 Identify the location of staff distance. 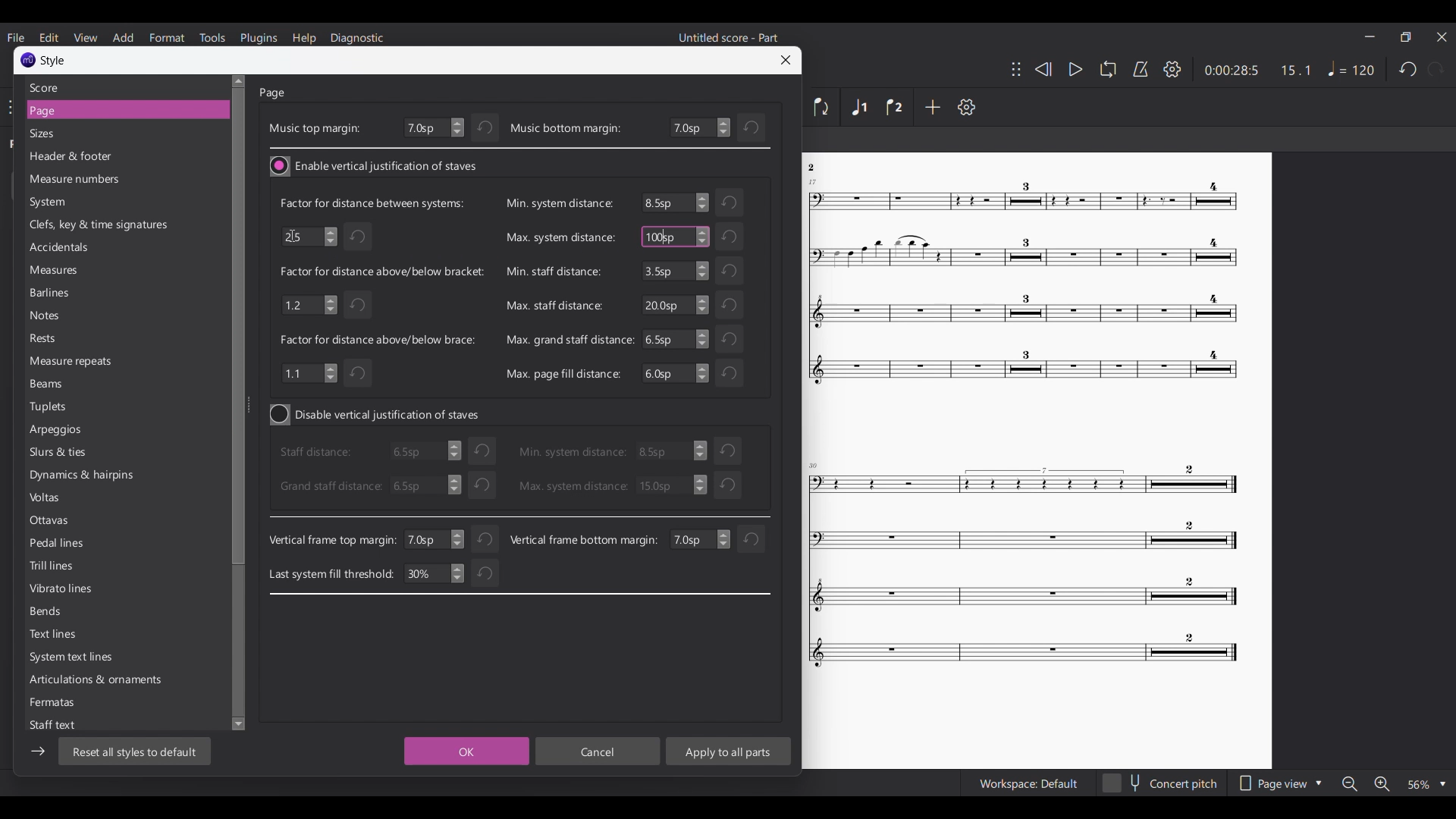
(319, 453).